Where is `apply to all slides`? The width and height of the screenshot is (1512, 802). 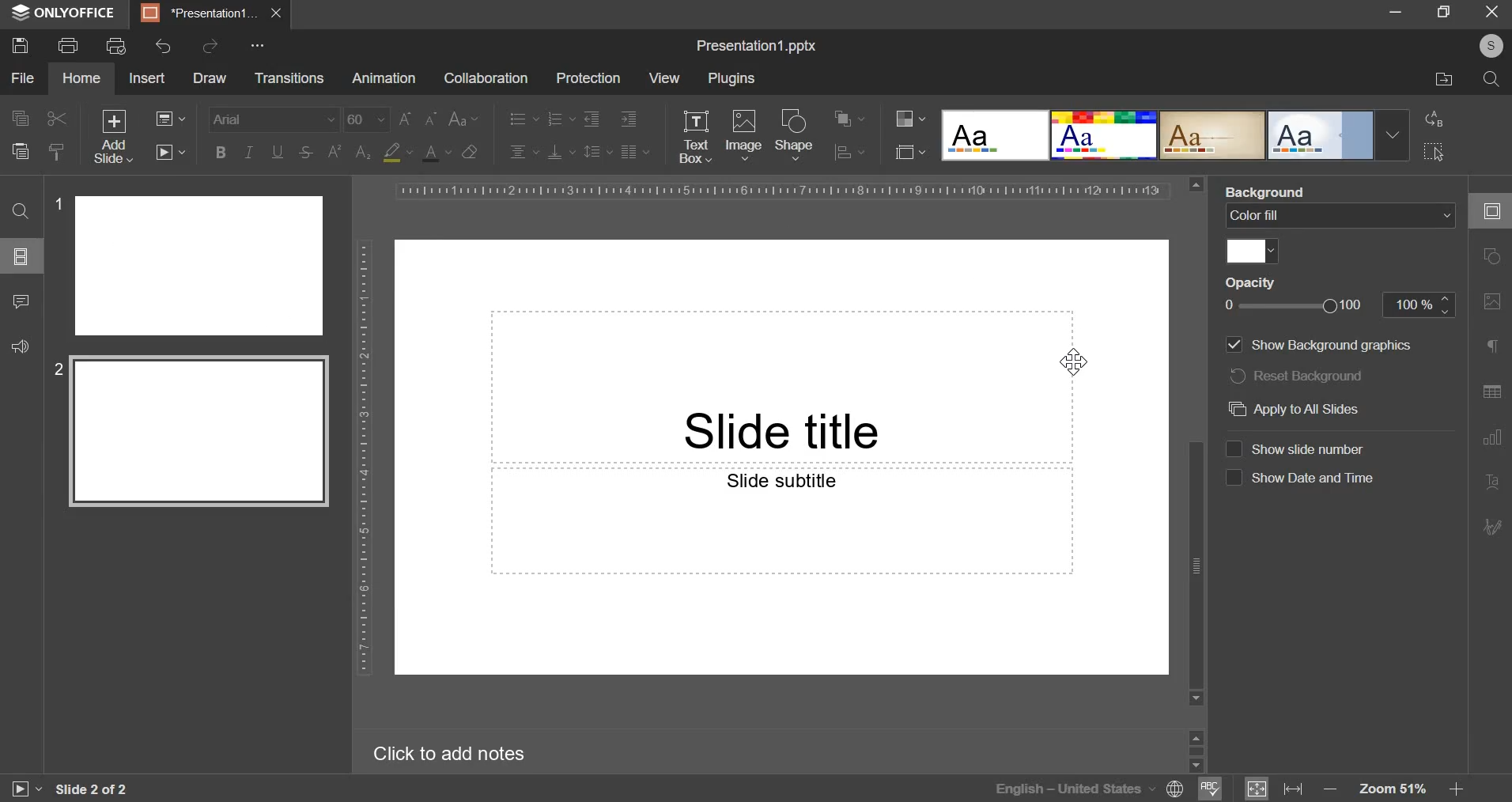 apply to all slides is located at coordinates (1295, 409).